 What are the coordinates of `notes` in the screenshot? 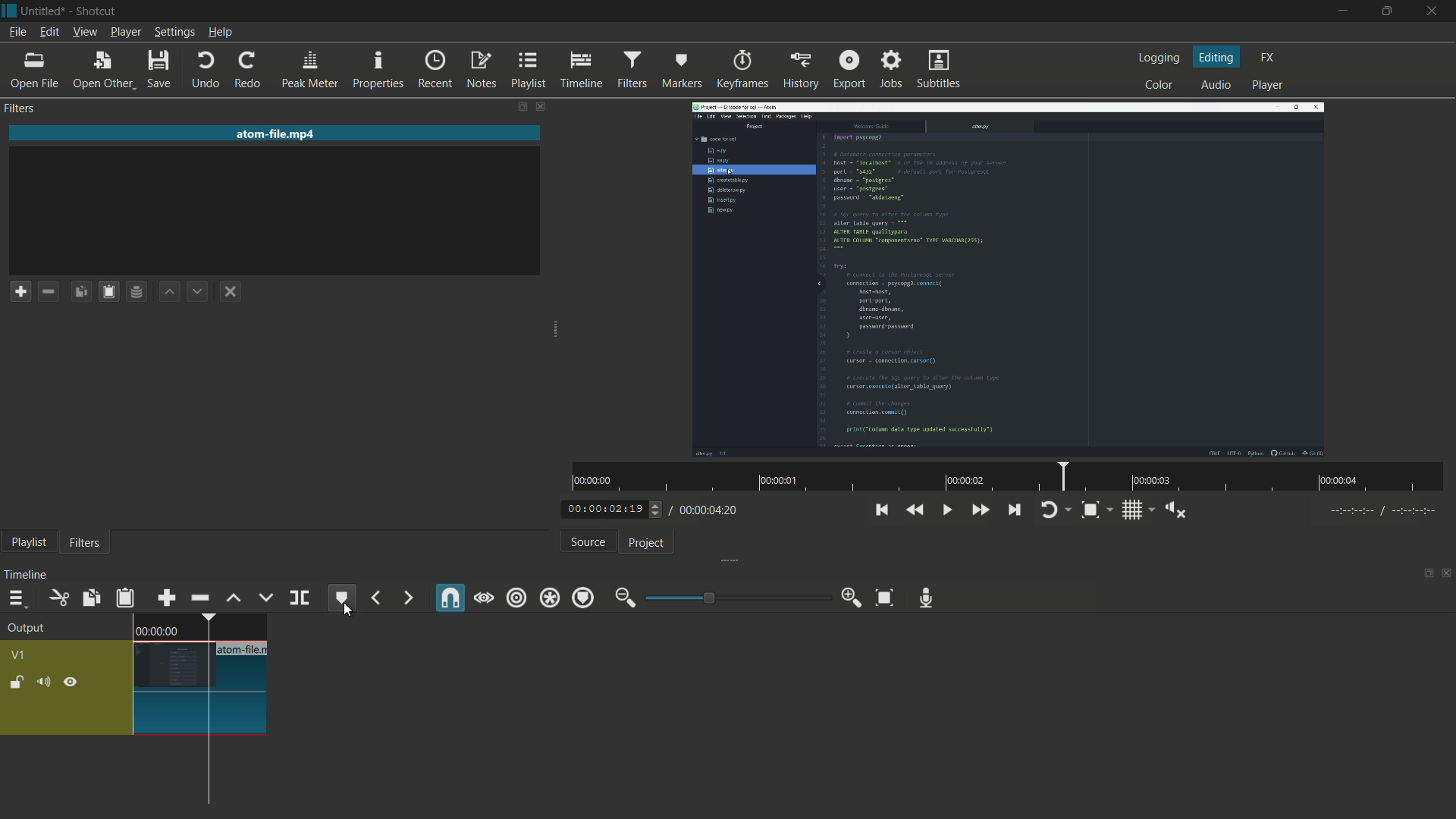 It's located at (477, 71).